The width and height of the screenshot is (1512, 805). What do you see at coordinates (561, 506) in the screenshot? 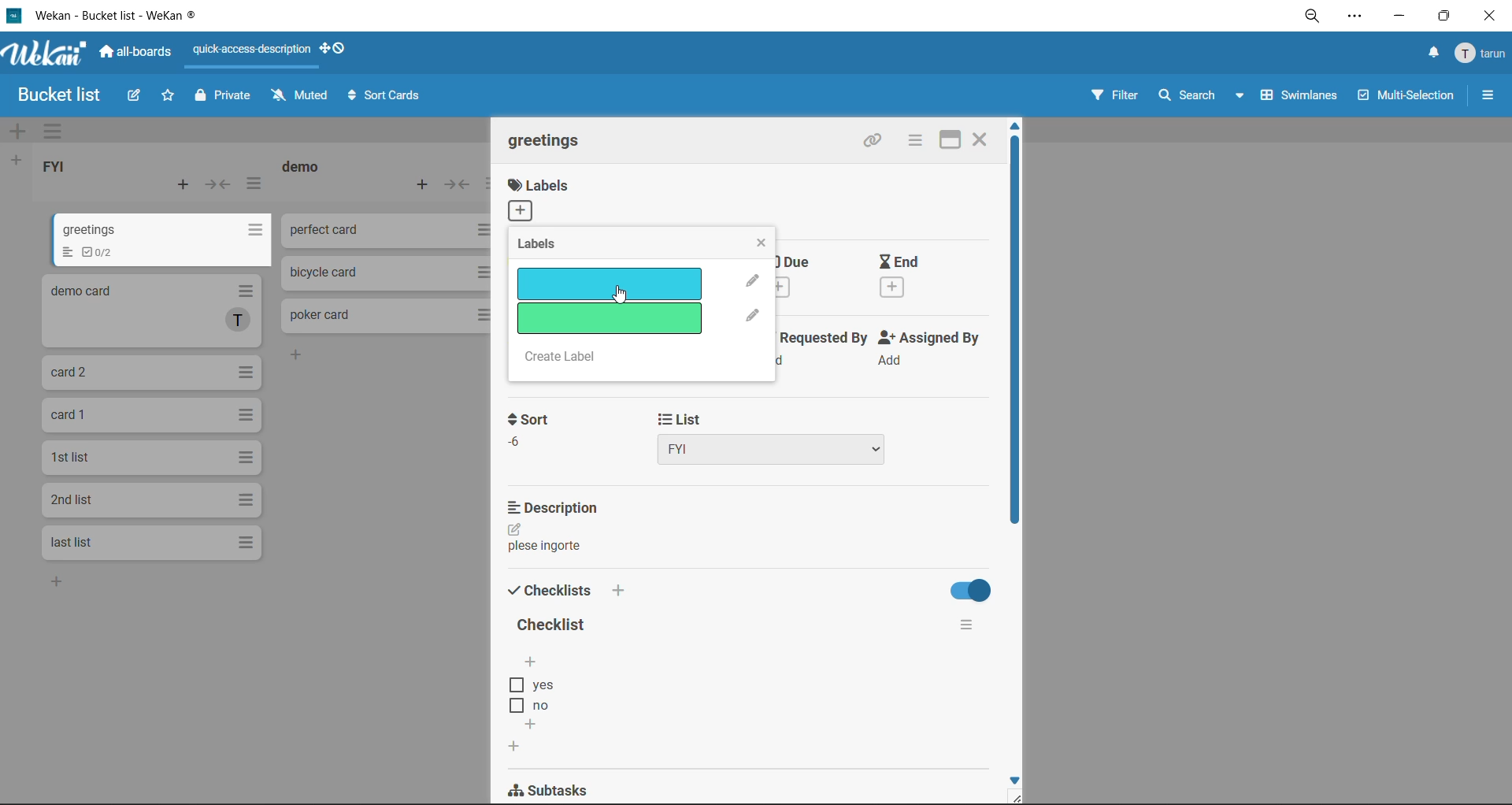
I see `description` at bounding box center [561, 506].